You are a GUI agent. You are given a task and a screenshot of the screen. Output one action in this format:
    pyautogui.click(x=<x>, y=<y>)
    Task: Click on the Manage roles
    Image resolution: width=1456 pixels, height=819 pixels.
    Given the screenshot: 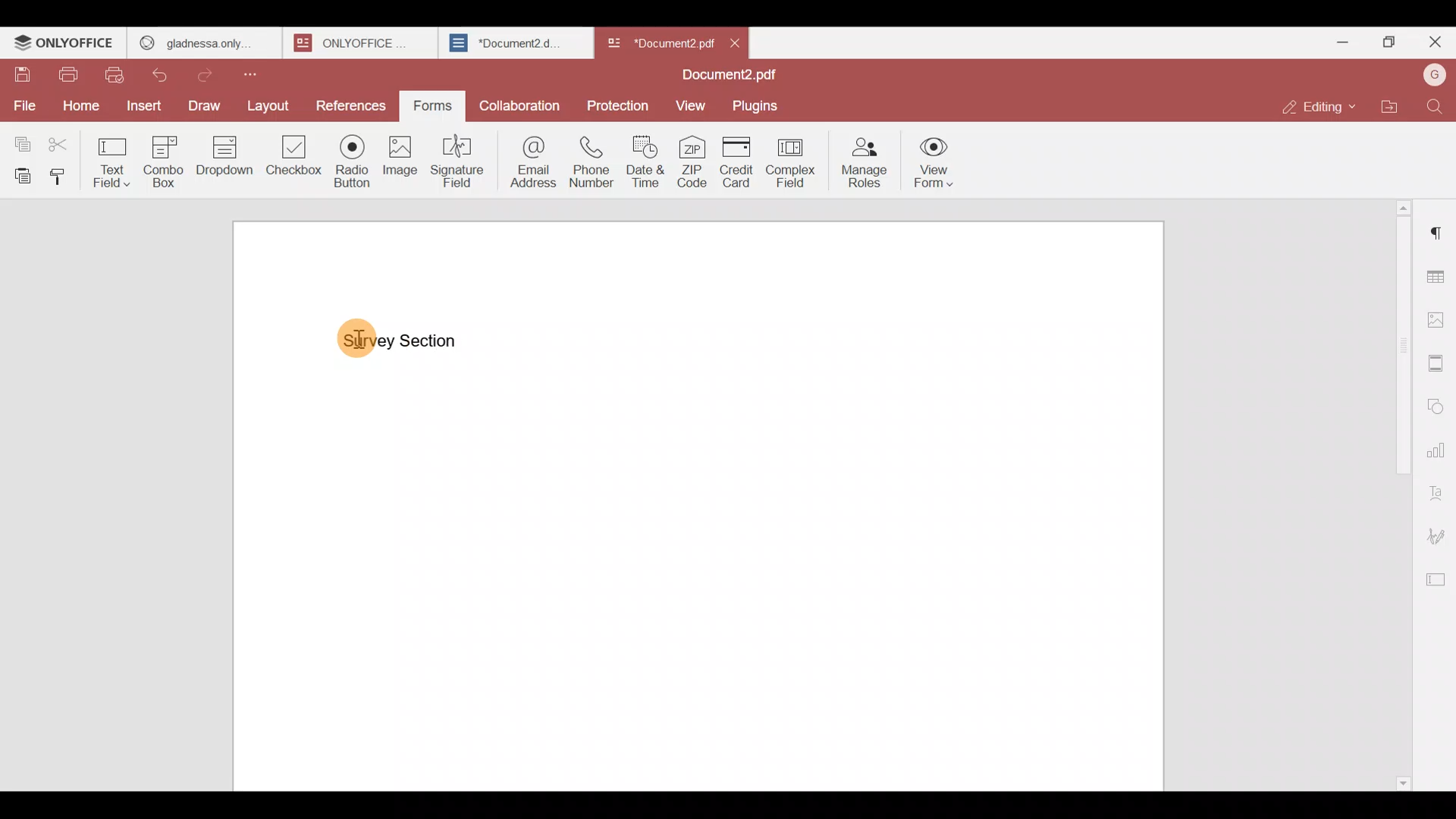 What is the action you would take?
    pyautogui.click(x=864, y=160)
    